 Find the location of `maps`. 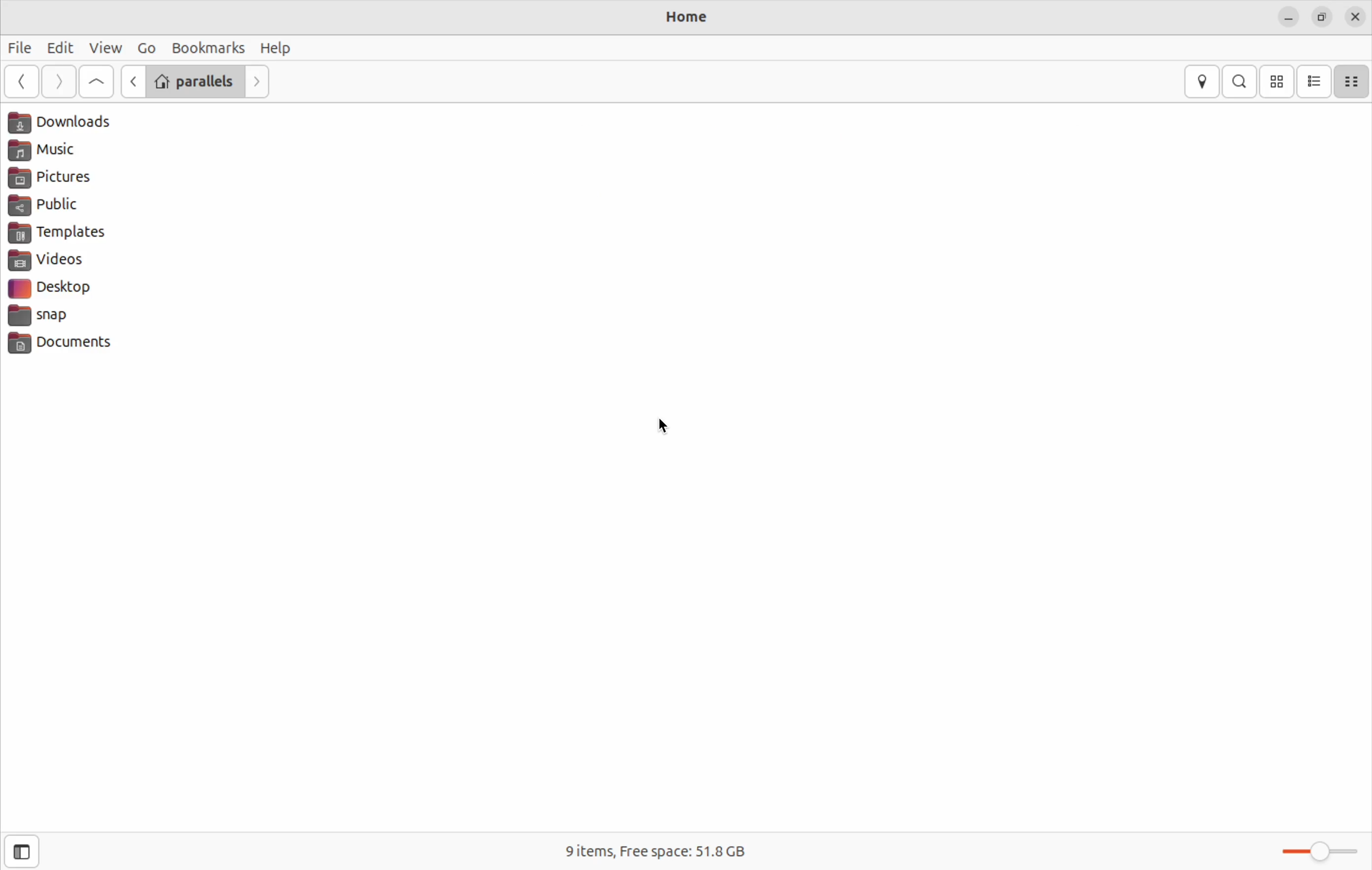

maps is located at coordinates (1201, 81).